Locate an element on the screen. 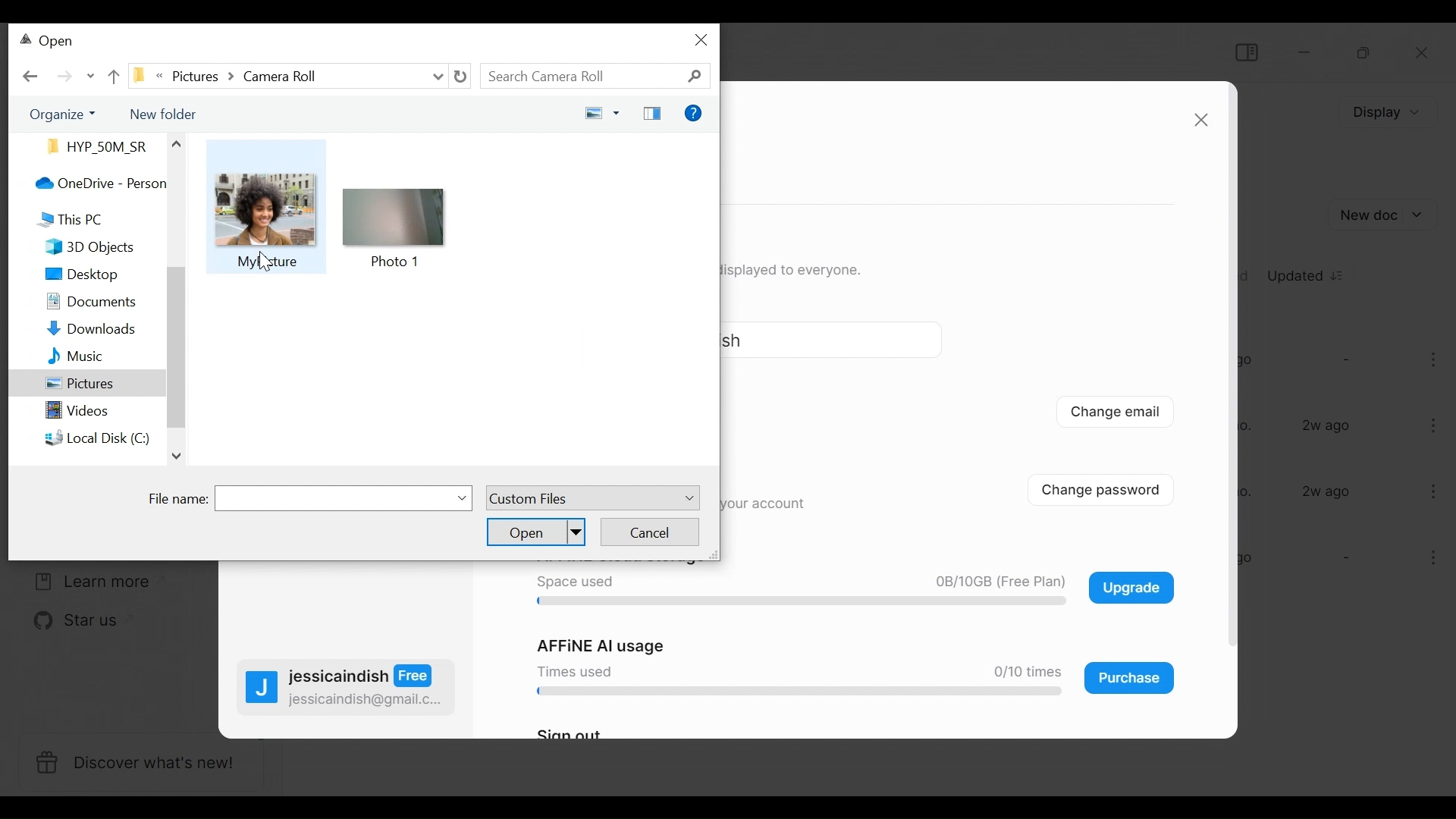 Image resolution: width=1456 pixels, height=819 pixels. My picture is located at coordinates (268, 262).